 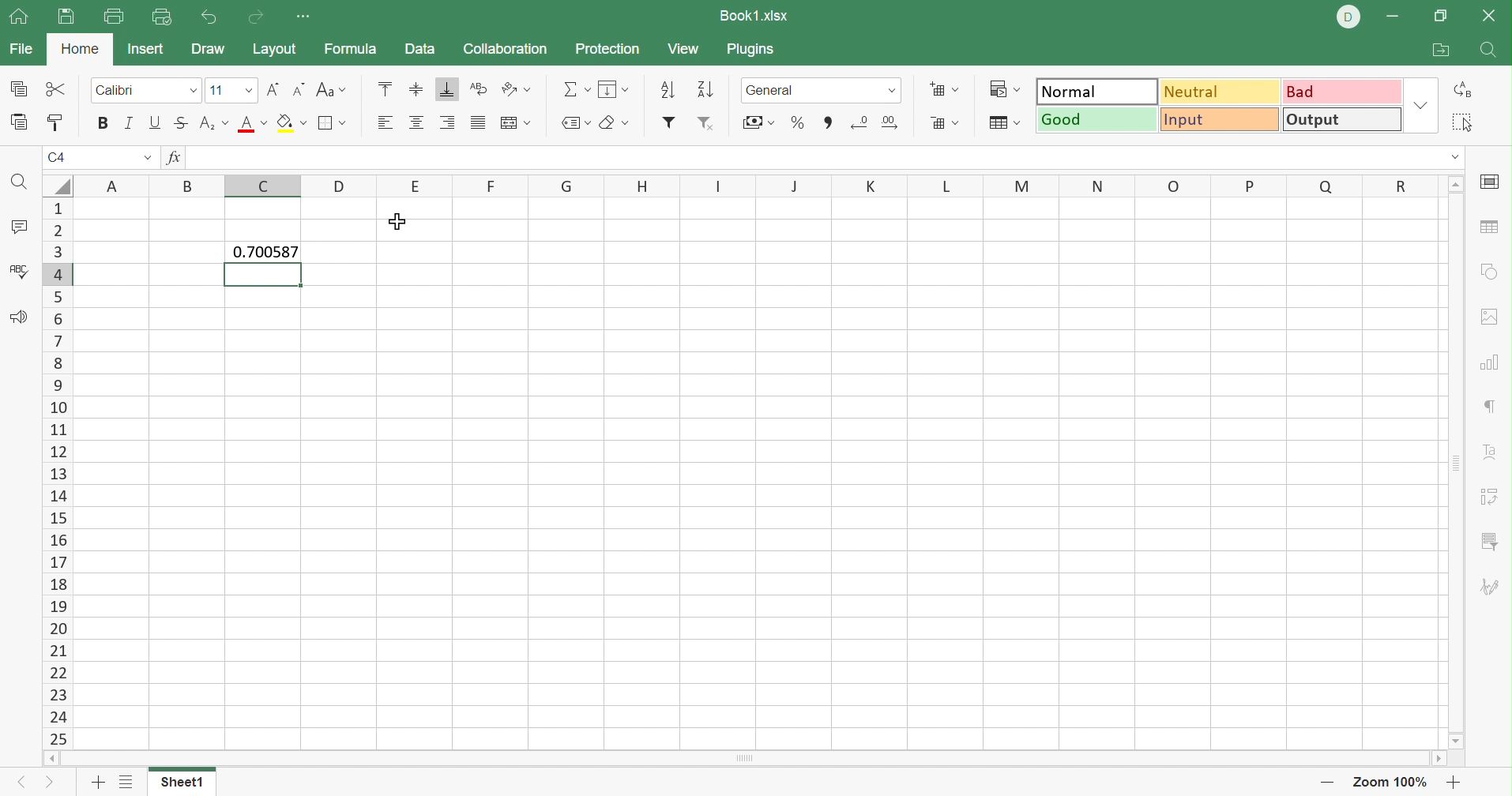 I want to click on Subscript, so click(x=213, y=122).